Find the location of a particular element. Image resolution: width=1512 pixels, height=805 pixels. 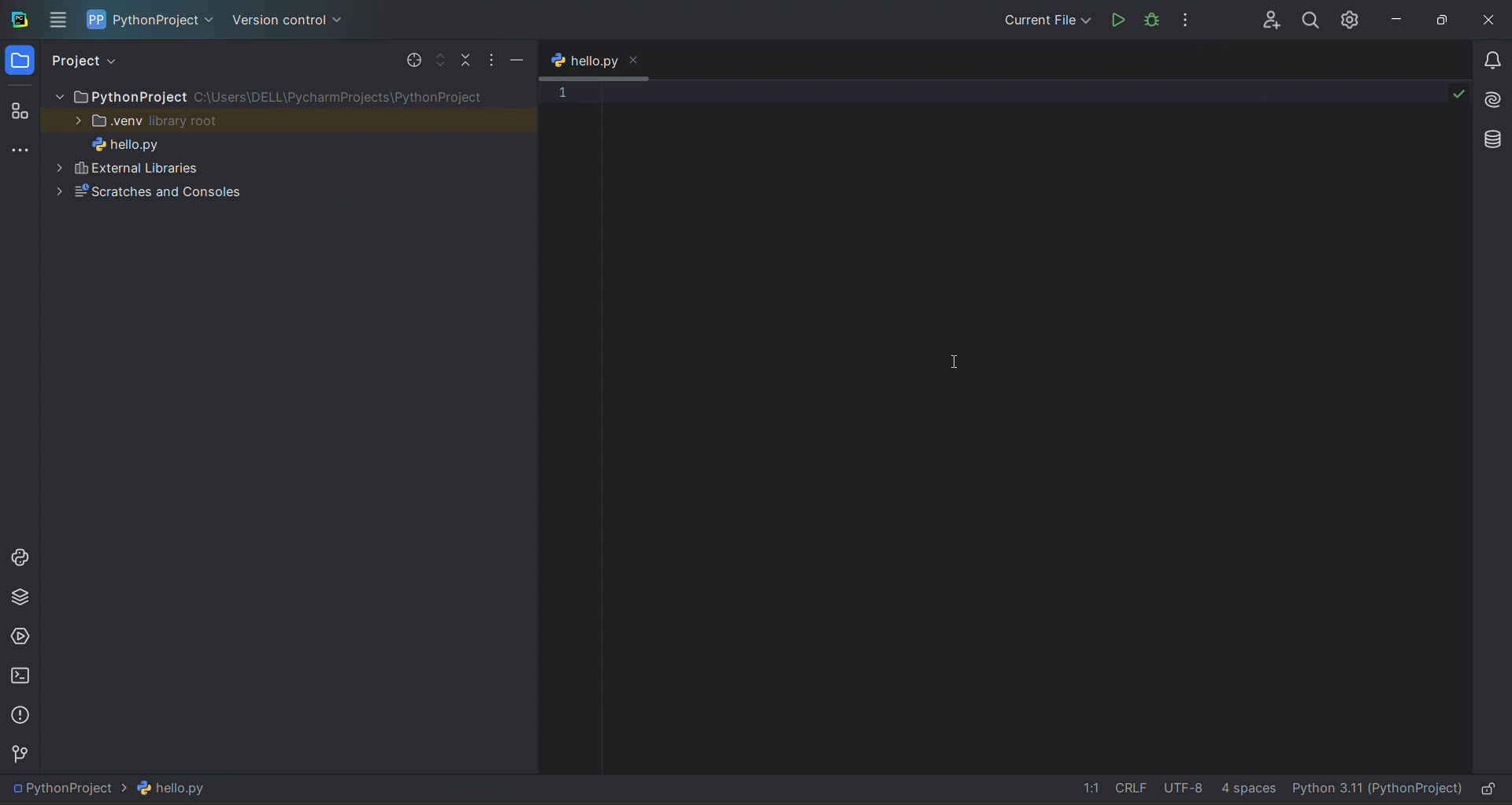

project view is located at coordinates (99, 61).